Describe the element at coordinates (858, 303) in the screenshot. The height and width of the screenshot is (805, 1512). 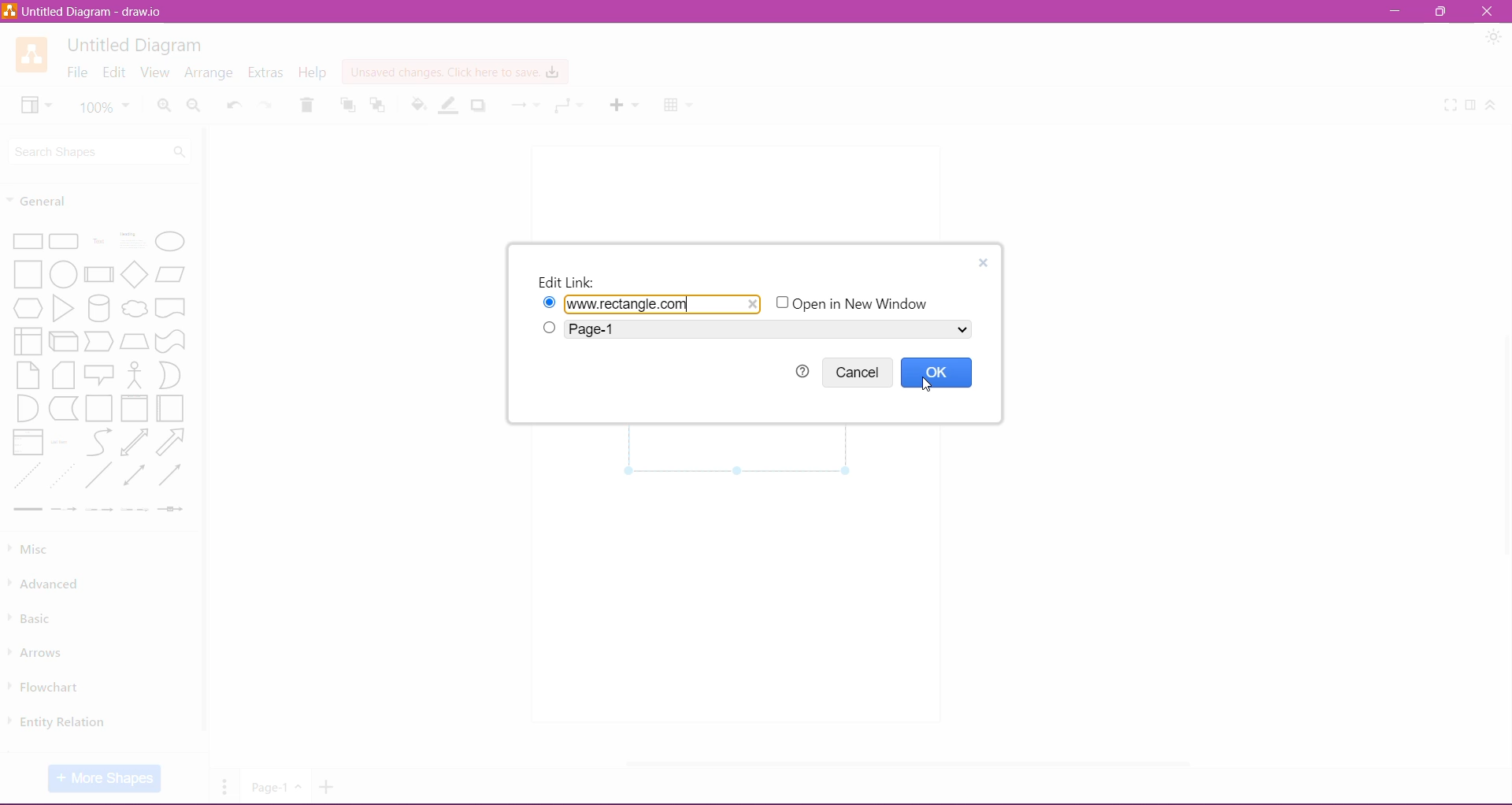
I see `Open in New Window - click to enable/disable` at that location.